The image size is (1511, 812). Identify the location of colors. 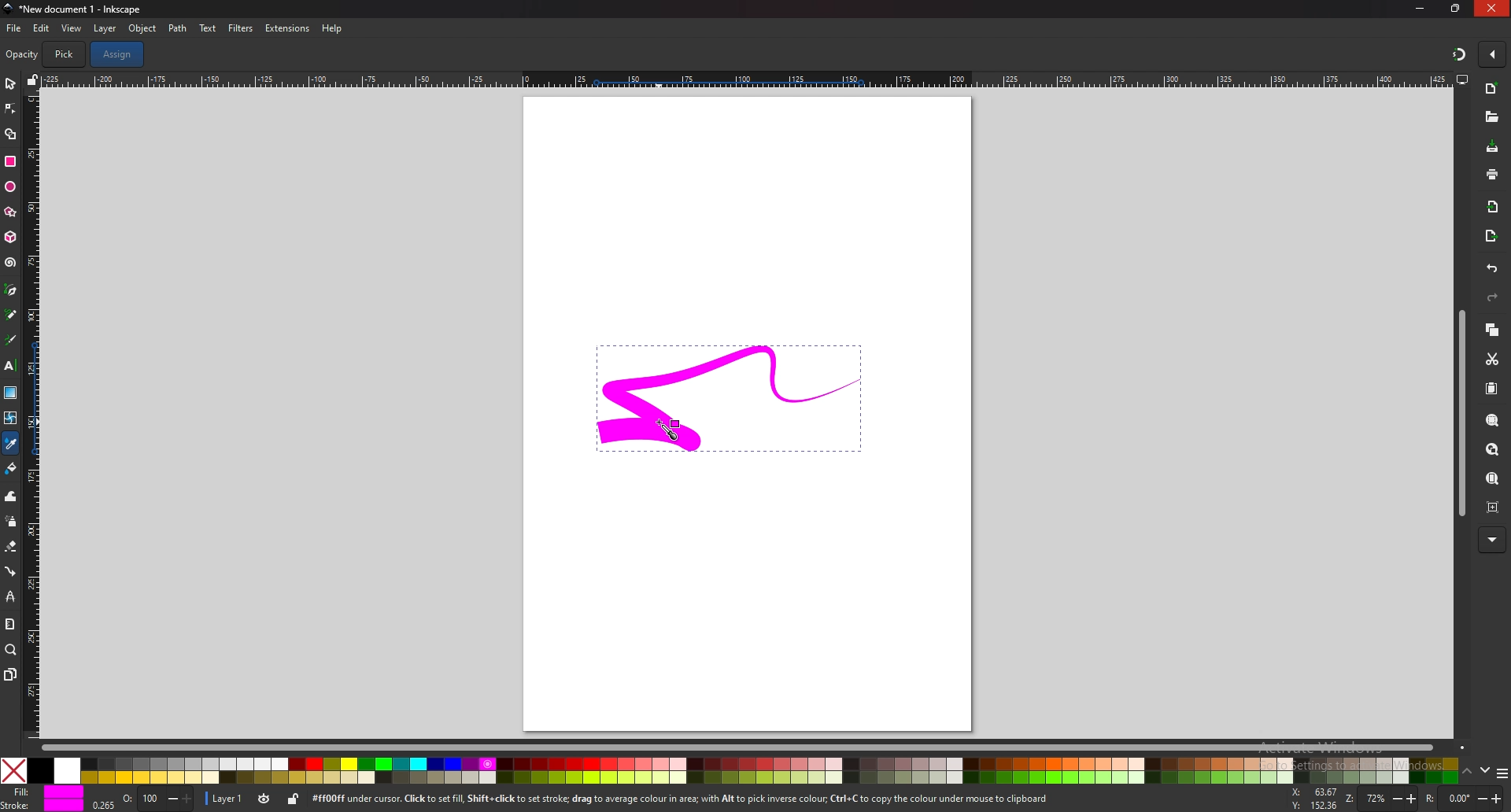
(729, 770).